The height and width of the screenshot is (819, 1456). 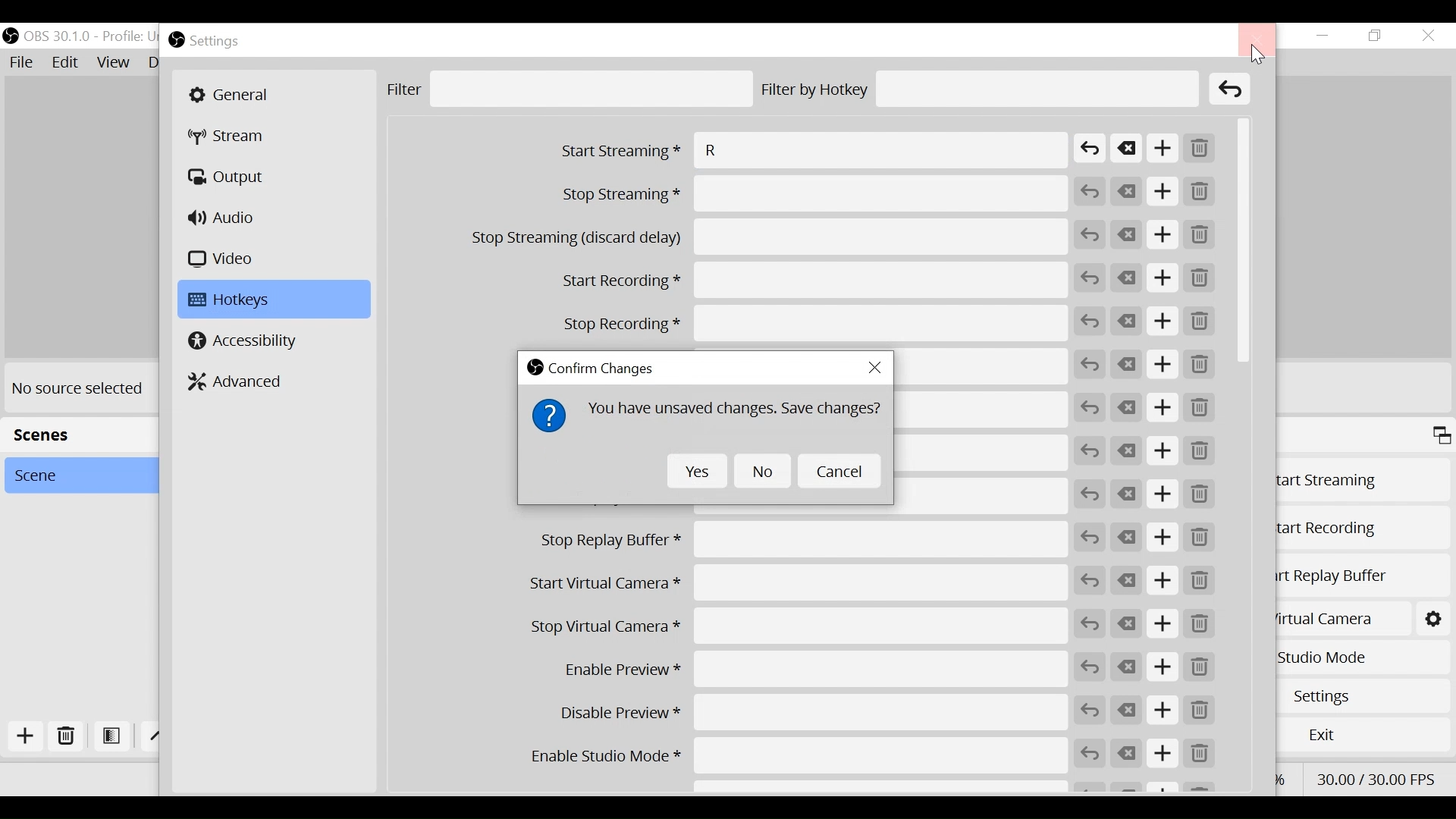 What do you see at coordinates (231, 177) in the screenshot?
I see `Output` at bounding box center [231, 177].